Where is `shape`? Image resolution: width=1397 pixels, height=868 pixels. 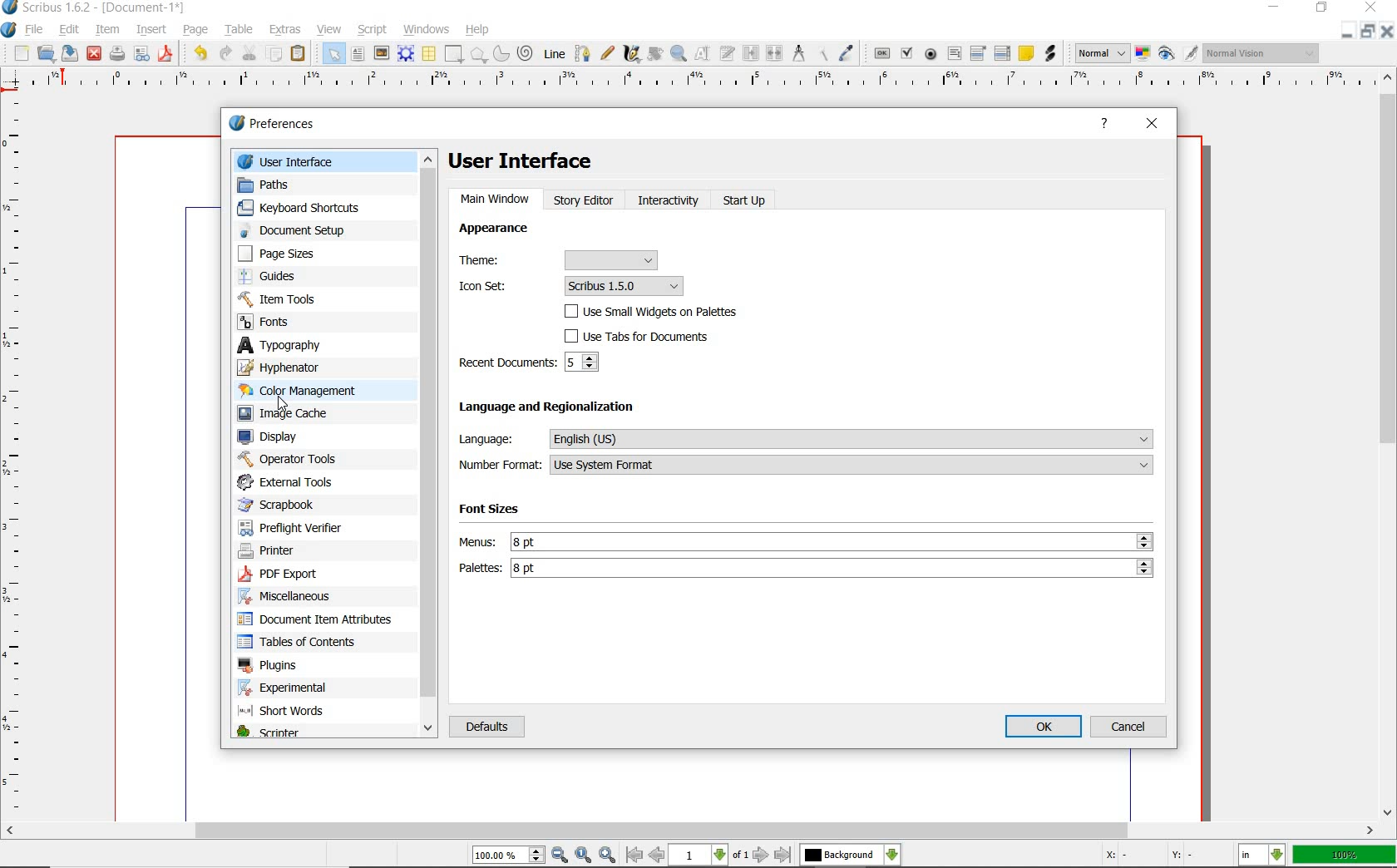 shape is located at coordinates (455, 54).